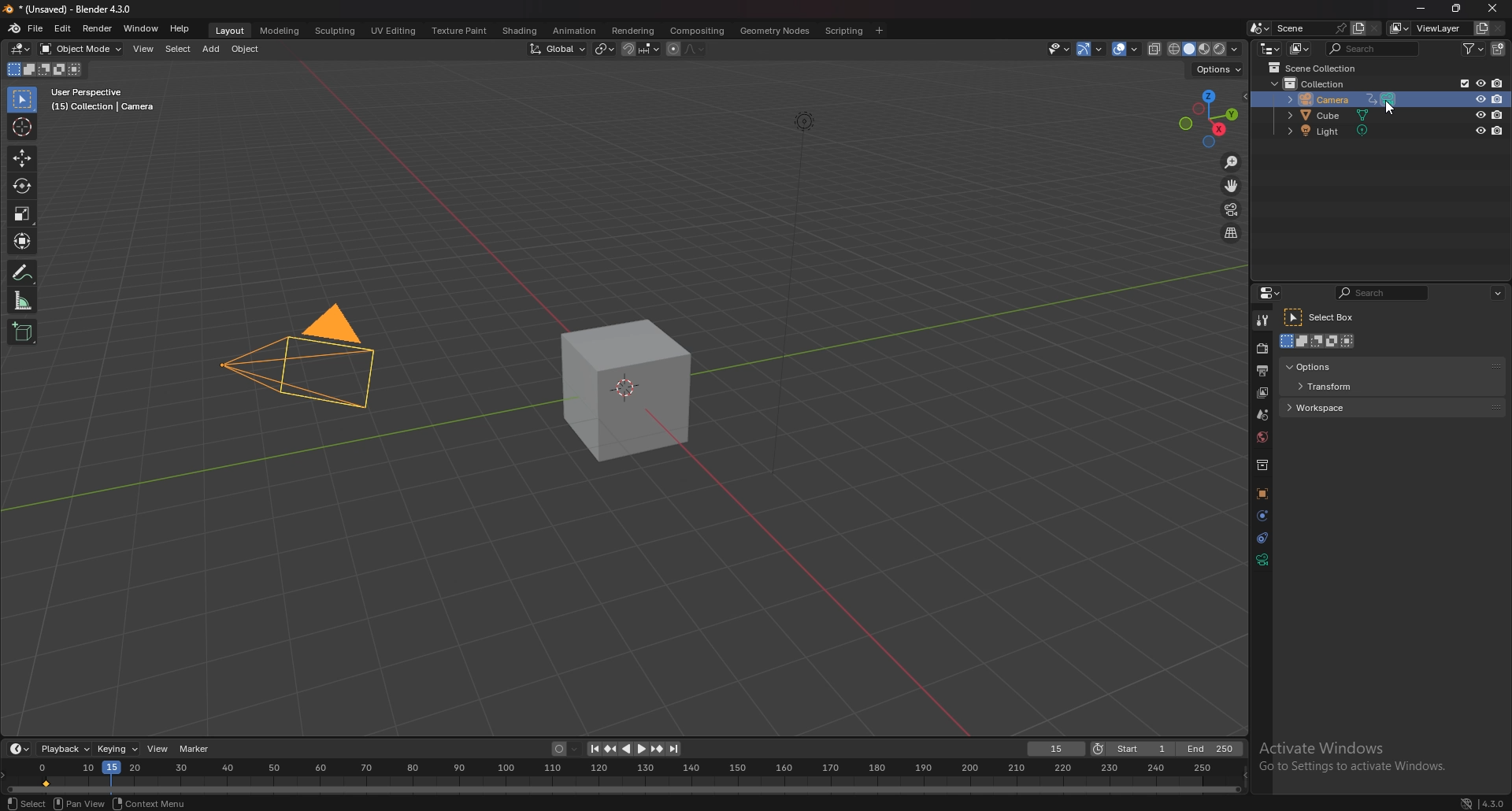  What do you see at coordinates (460, 31) in the screenshot?
I see `texture paint` at bounding box center [460, 31].